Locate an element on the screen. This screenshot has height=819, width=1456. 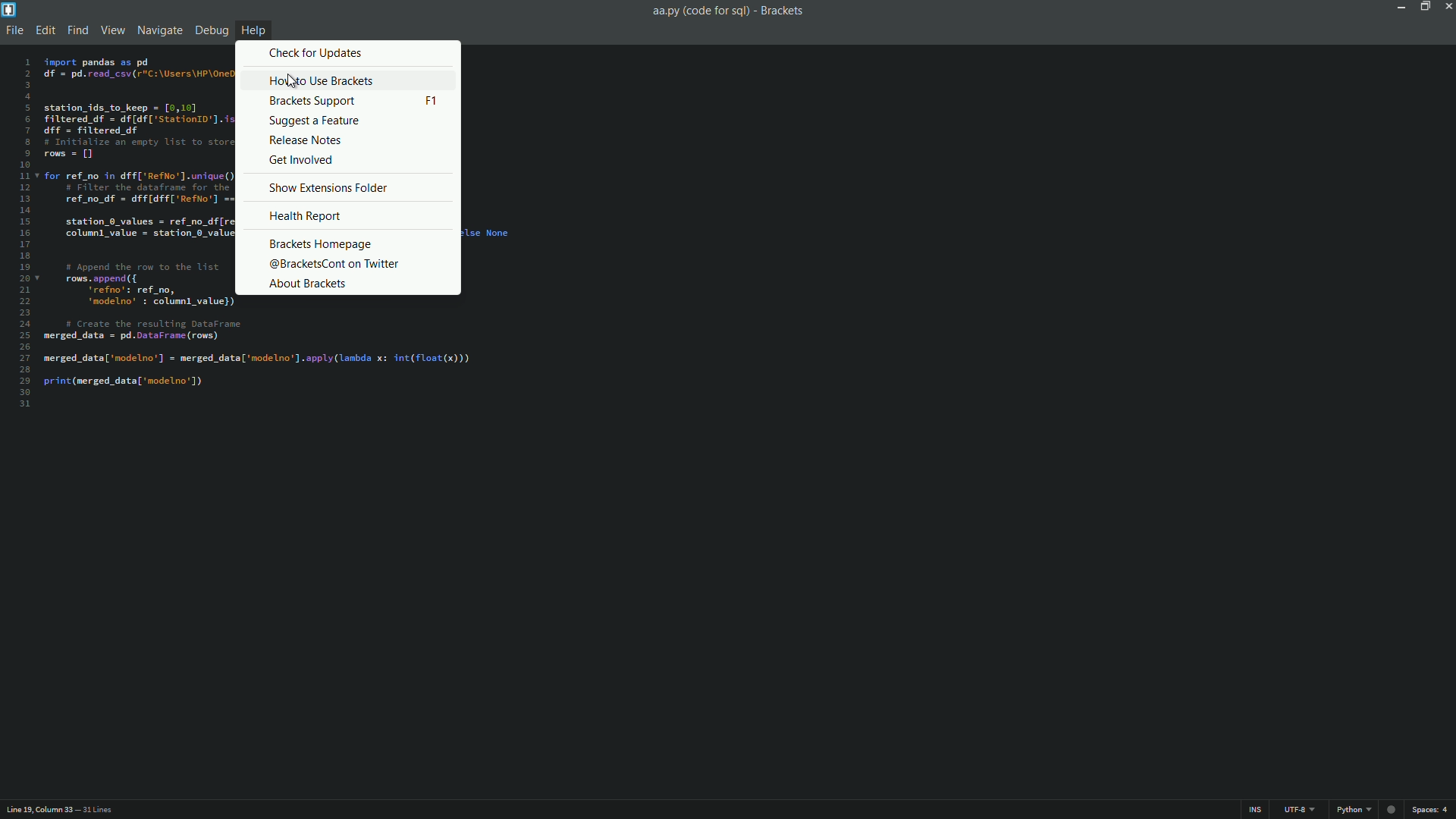
release notes is located at coordinates (315, 140).